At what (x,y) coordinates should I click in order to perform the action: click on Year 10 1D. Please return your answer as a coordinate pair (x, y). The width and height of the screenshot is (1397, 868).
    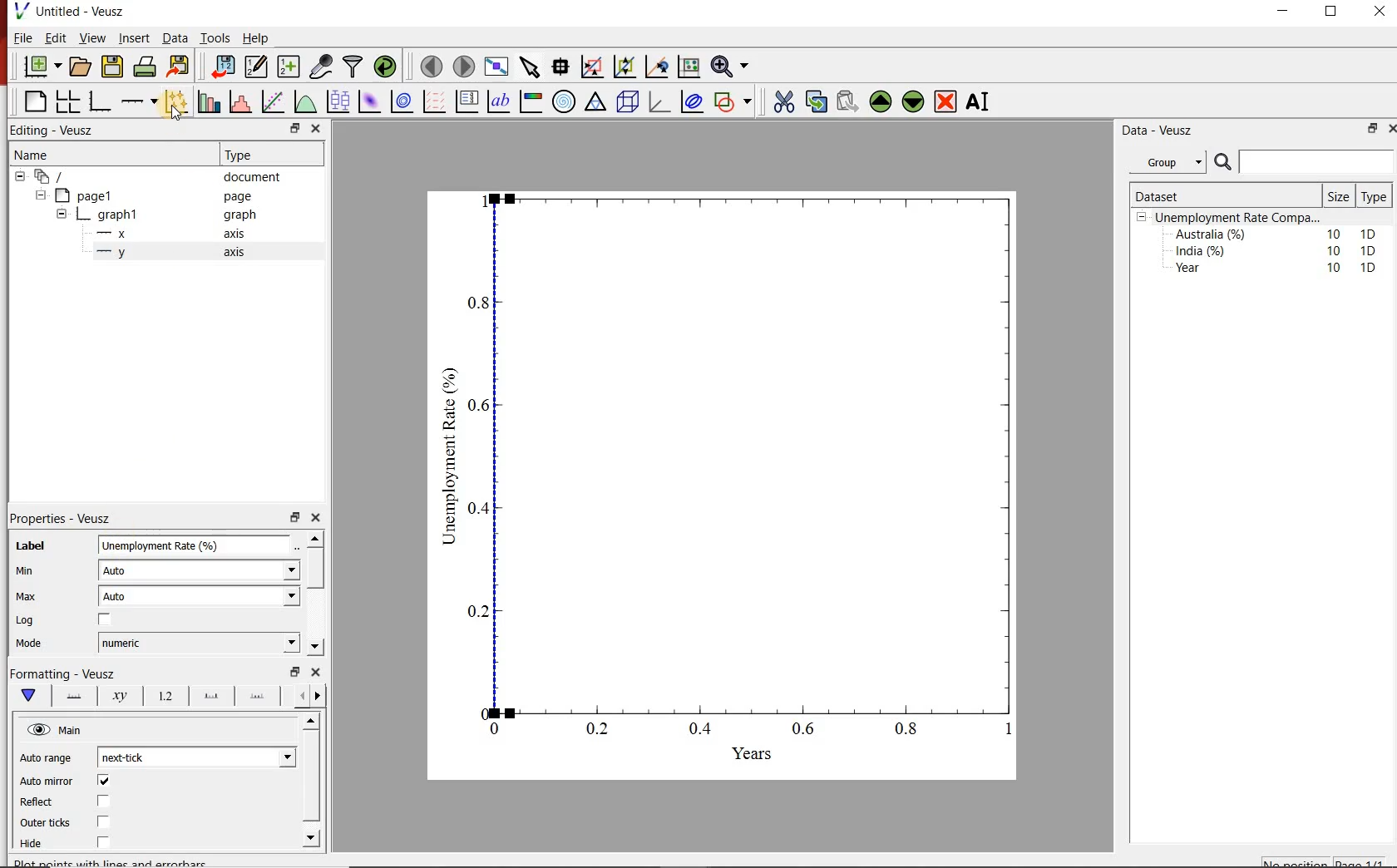
    Looking at the image, I should click on (1281, 269).